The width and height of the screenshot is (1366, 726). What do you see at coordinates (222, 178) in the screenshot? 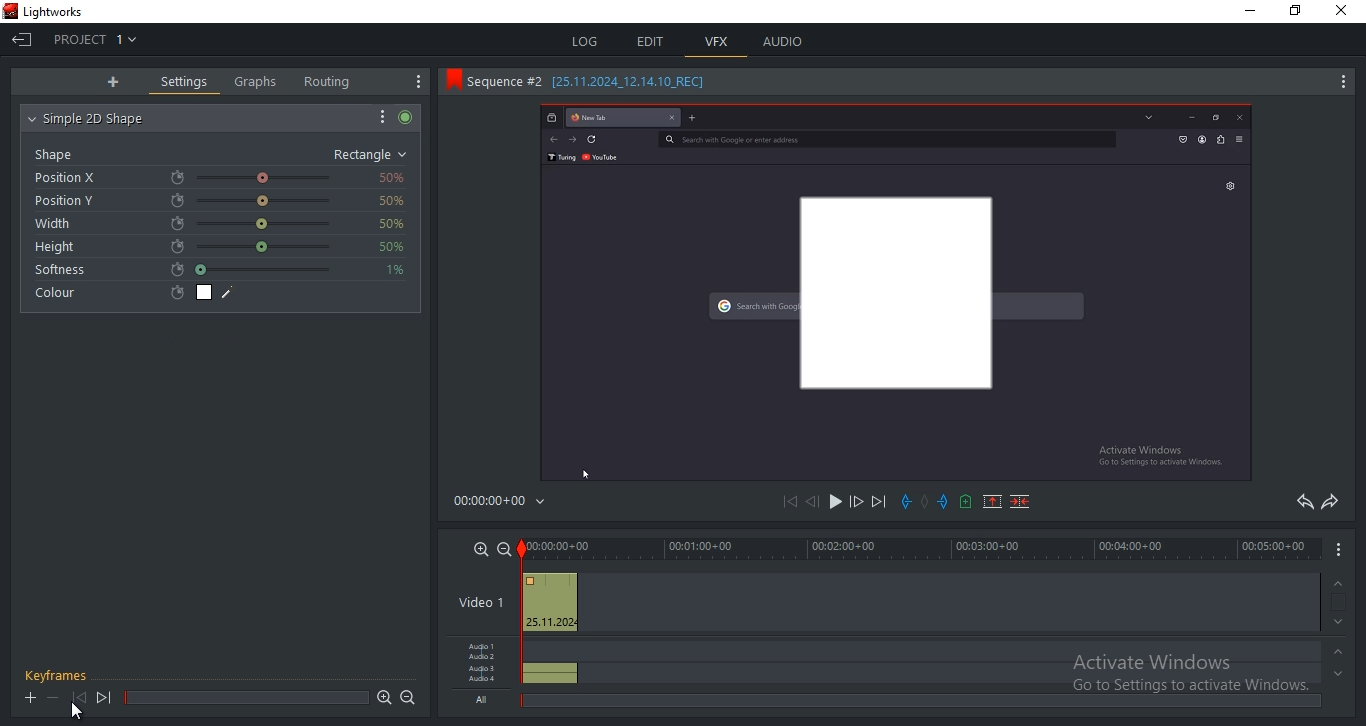
I see `position X` at bounding box center [222, 178].